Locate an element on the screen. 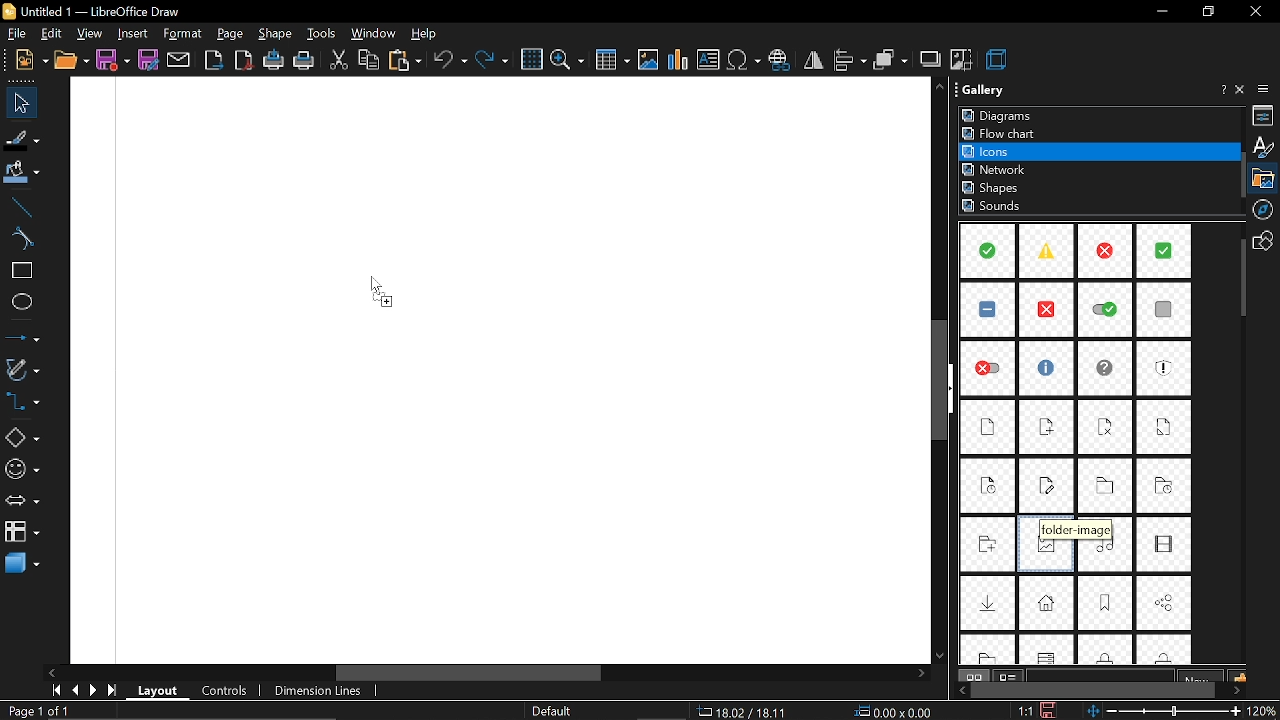  shapes  is located at coordinates (994, 188).